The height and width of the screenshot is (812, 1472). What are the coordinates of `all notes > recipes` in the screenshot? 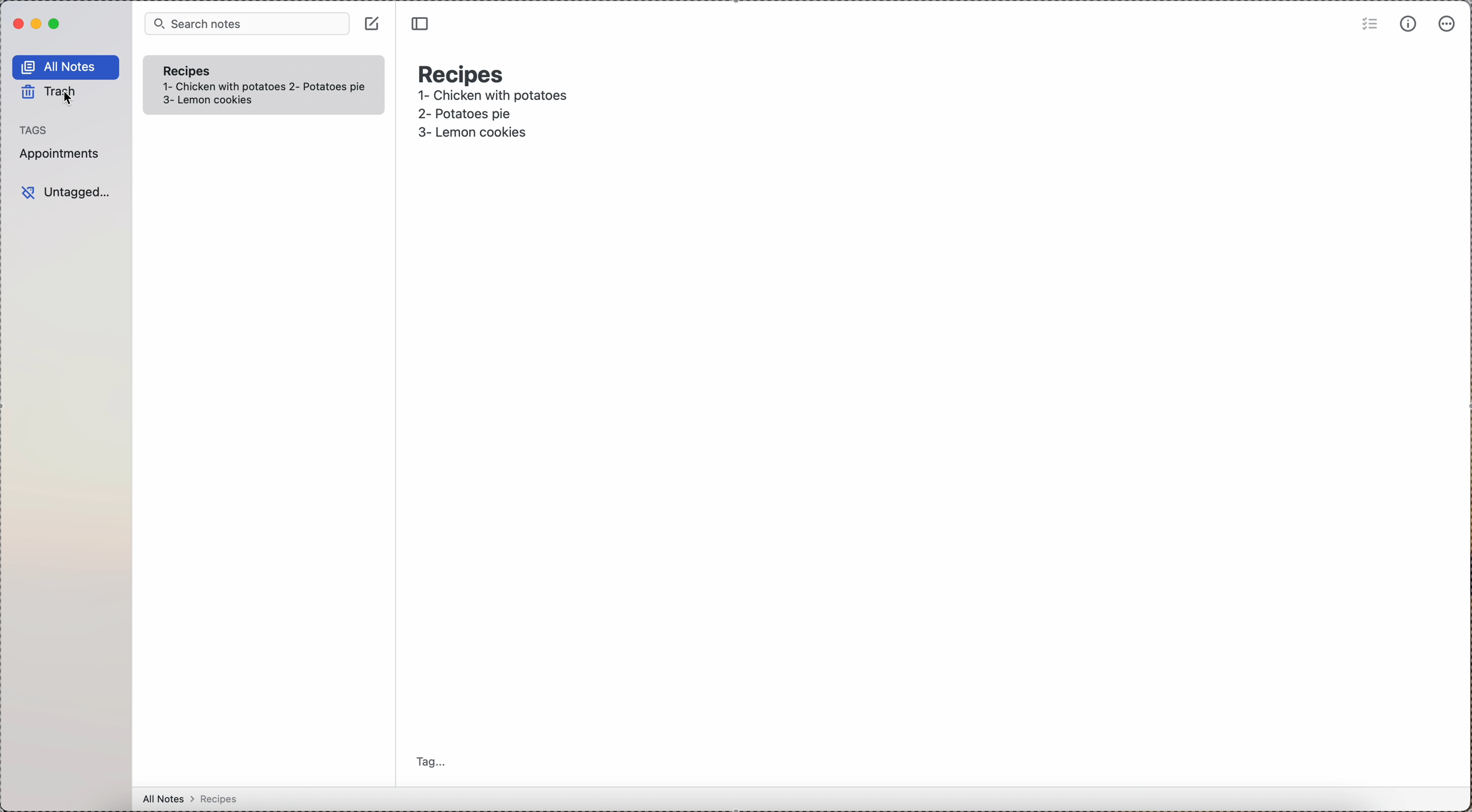 It's located at (198, 799).